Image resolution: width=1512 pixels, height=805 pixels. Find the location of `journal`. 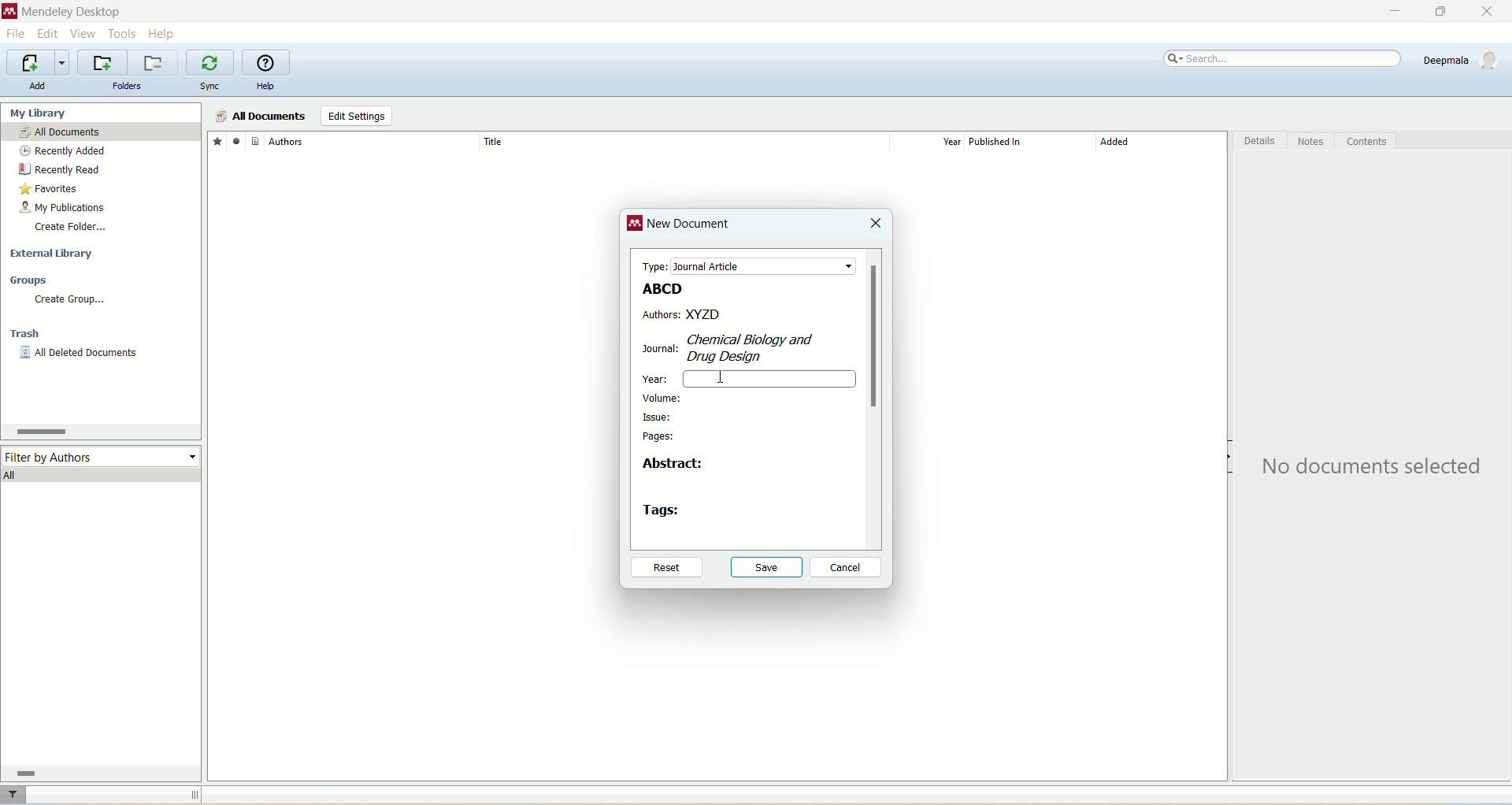

journal is located at coordinates (655, 348).